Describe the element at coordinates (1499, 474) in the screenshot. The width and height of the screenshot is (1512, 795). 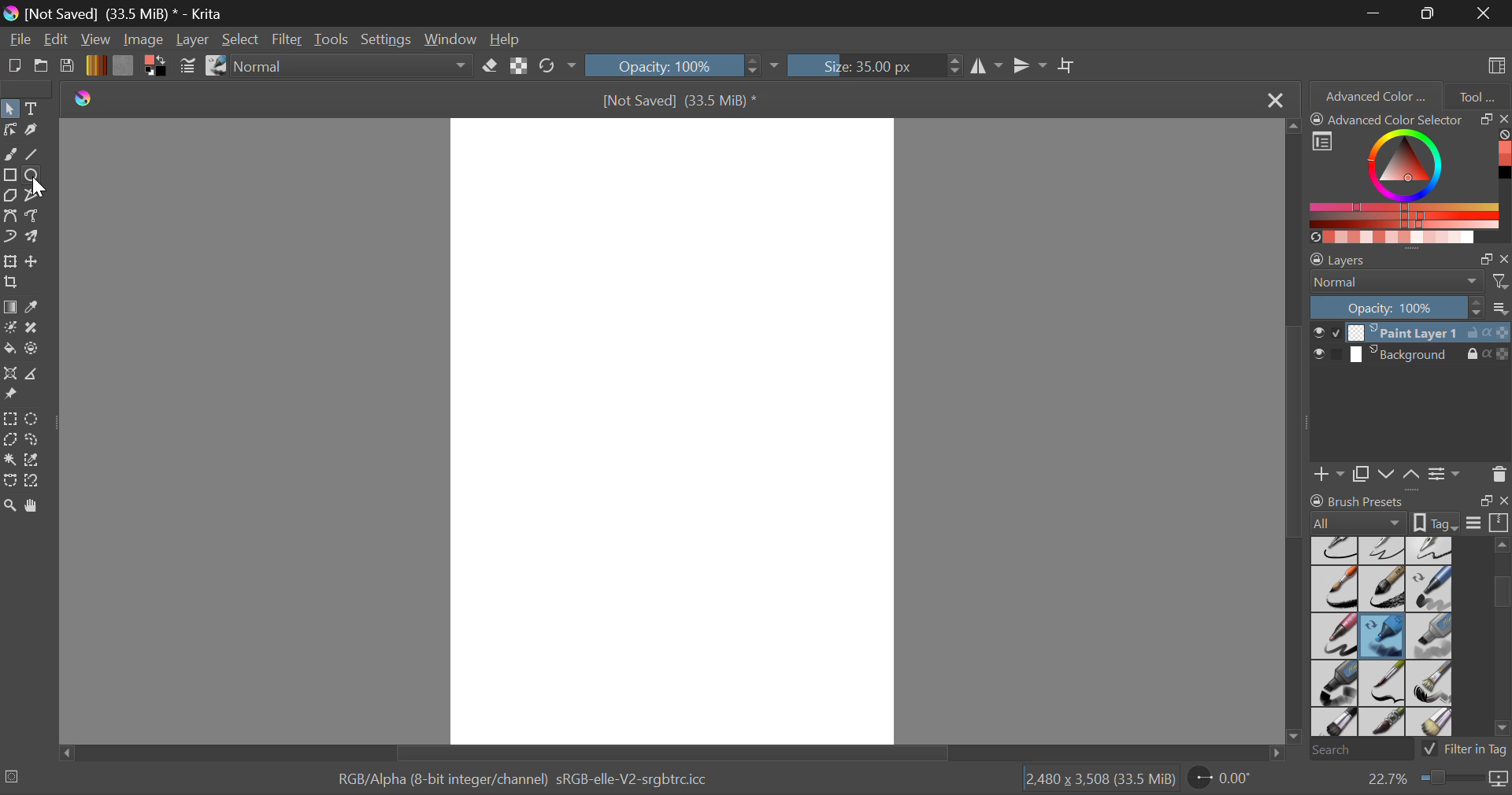
I see `Delete` at that location.